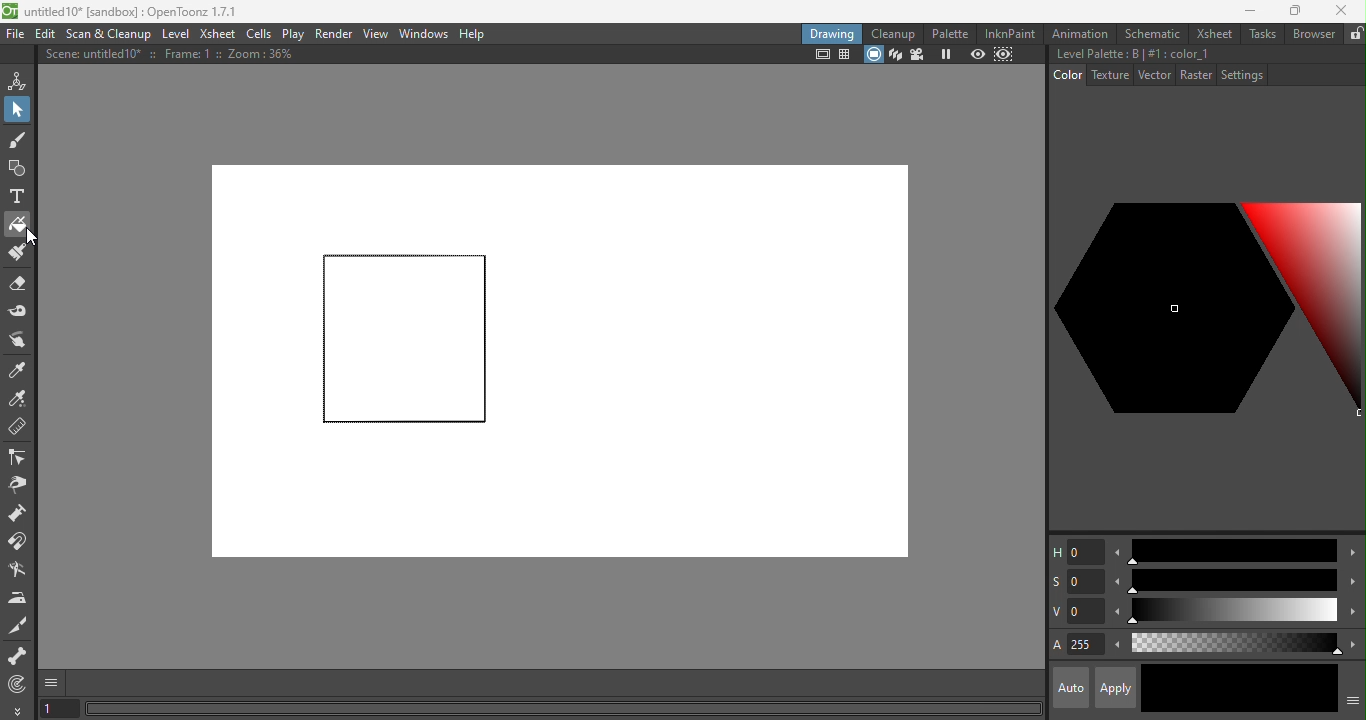  What do you see at coordinates (1356, 33) in the screenshot?
I see `Lock rooms tab` at bounding box center [1356, 33].